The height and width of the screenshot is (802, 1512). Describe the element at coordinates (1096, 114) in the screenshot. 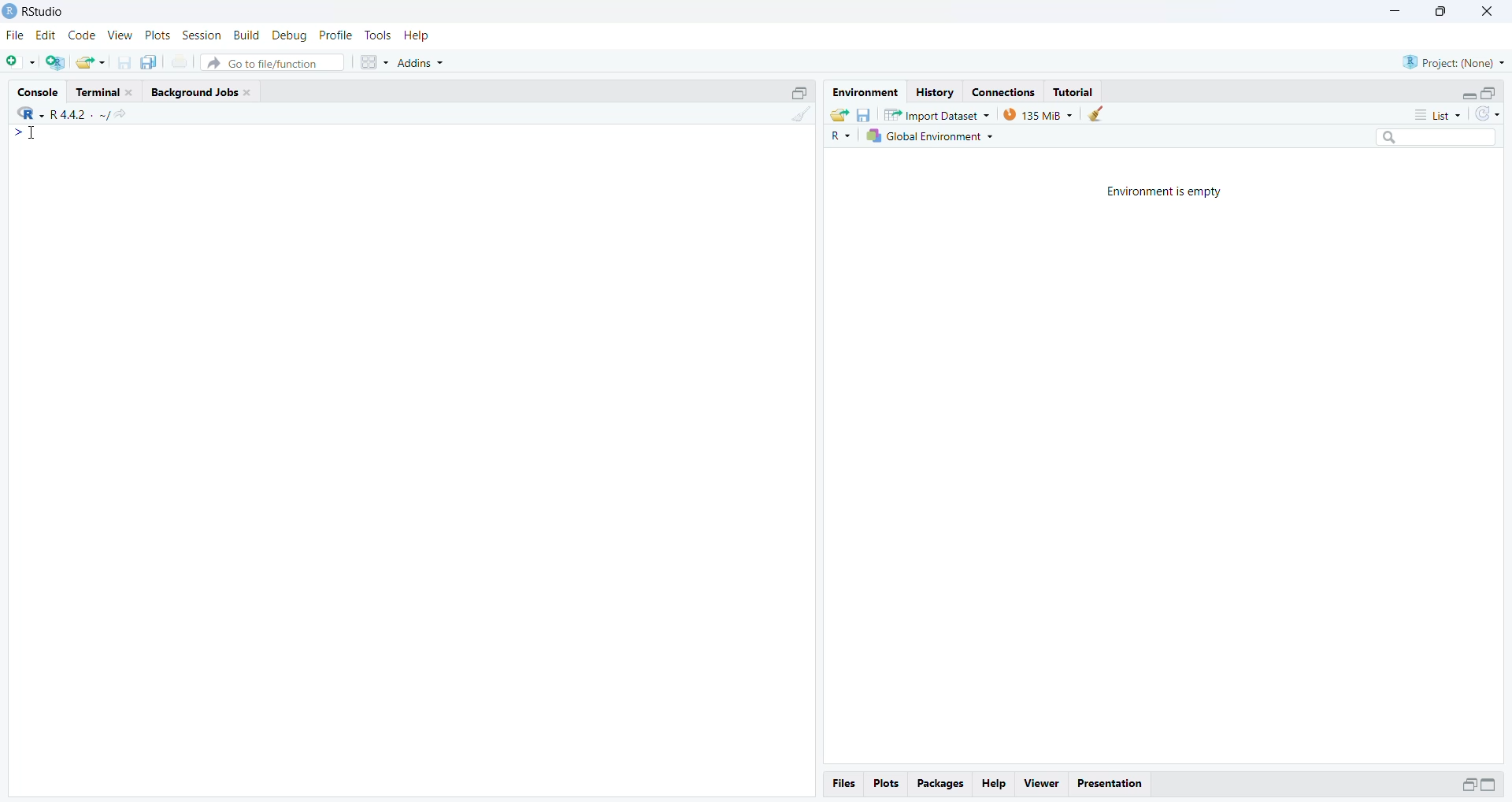

I see `Clear console (Ctrl +L)` at that location.